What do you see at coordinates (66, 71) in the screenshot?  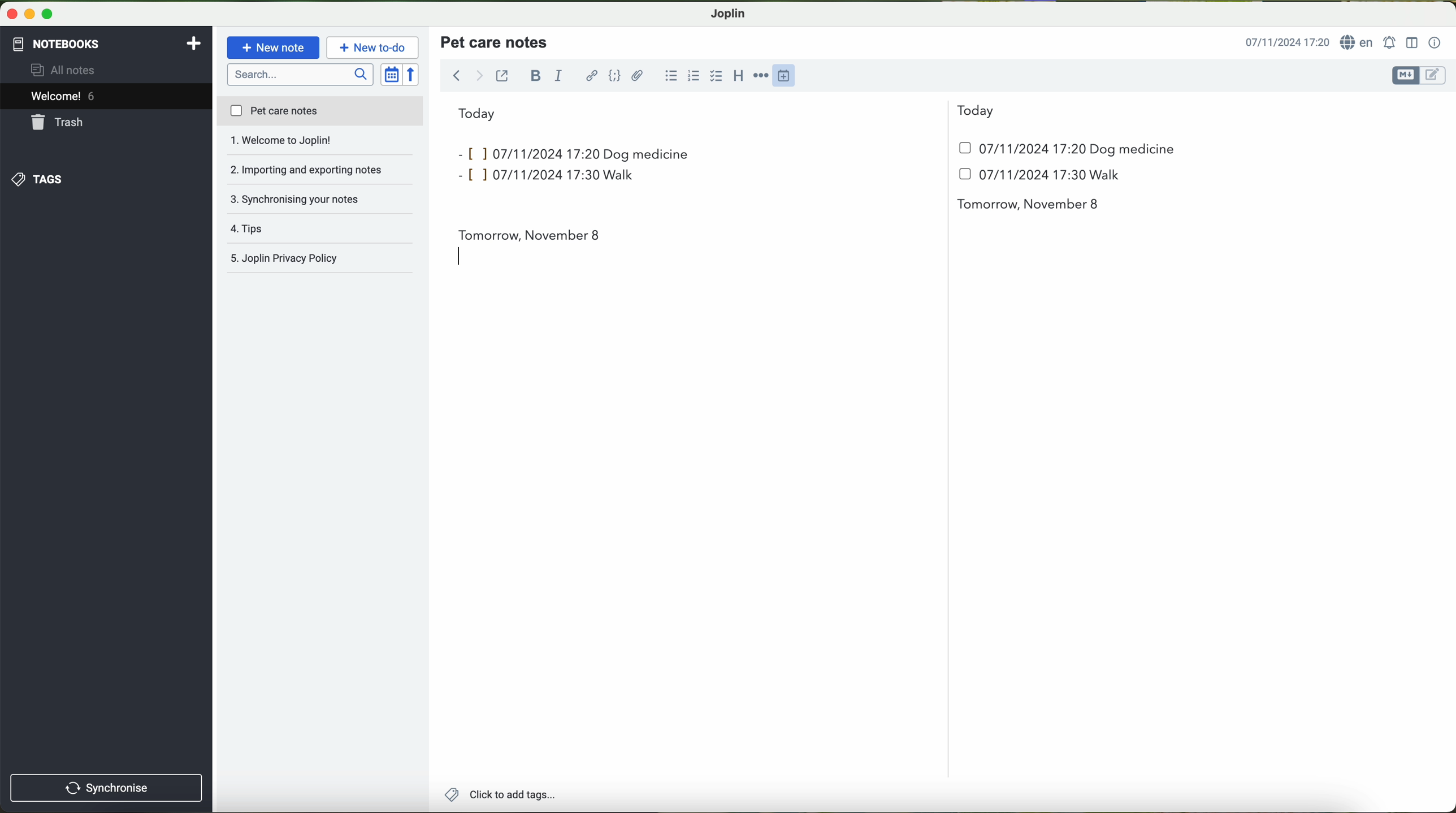 I see `all notes` at bounding box center [66, 71].